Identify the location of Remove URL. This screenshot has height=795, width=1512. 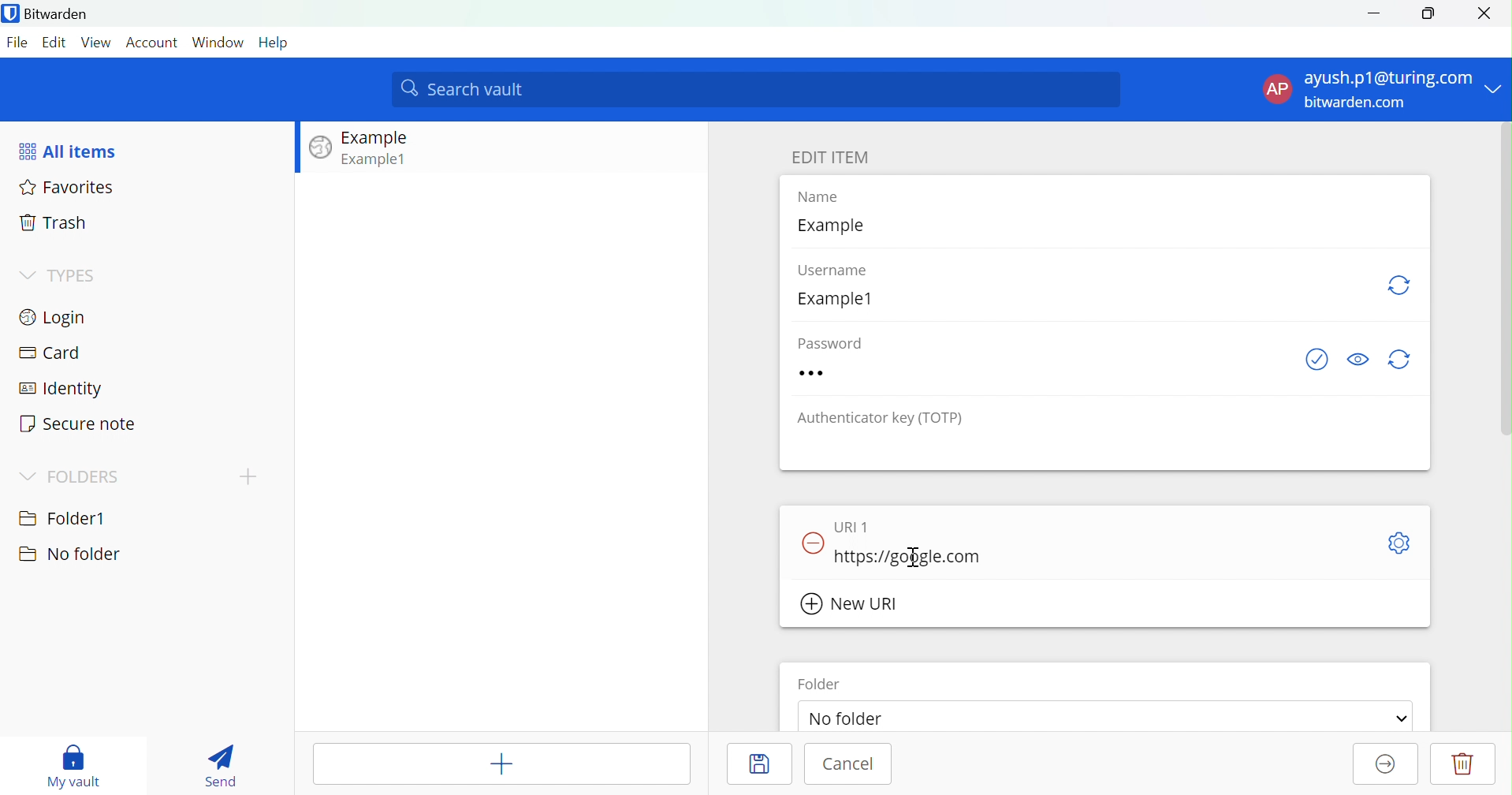
(814, 540).